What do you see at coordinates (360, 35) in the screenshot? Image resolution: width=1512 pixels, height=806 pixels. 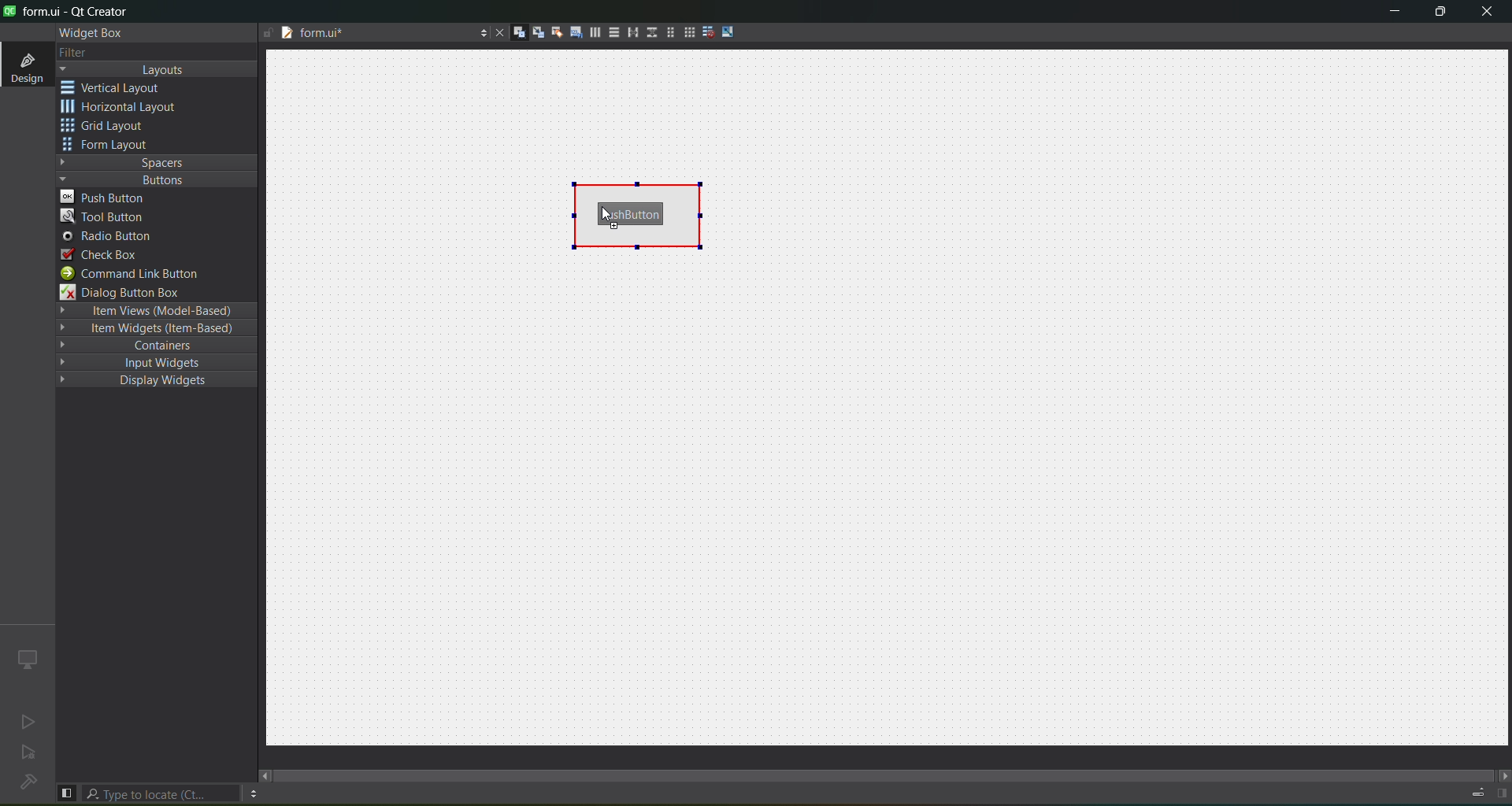 I see `tab name` at bounding box center [360, 35].